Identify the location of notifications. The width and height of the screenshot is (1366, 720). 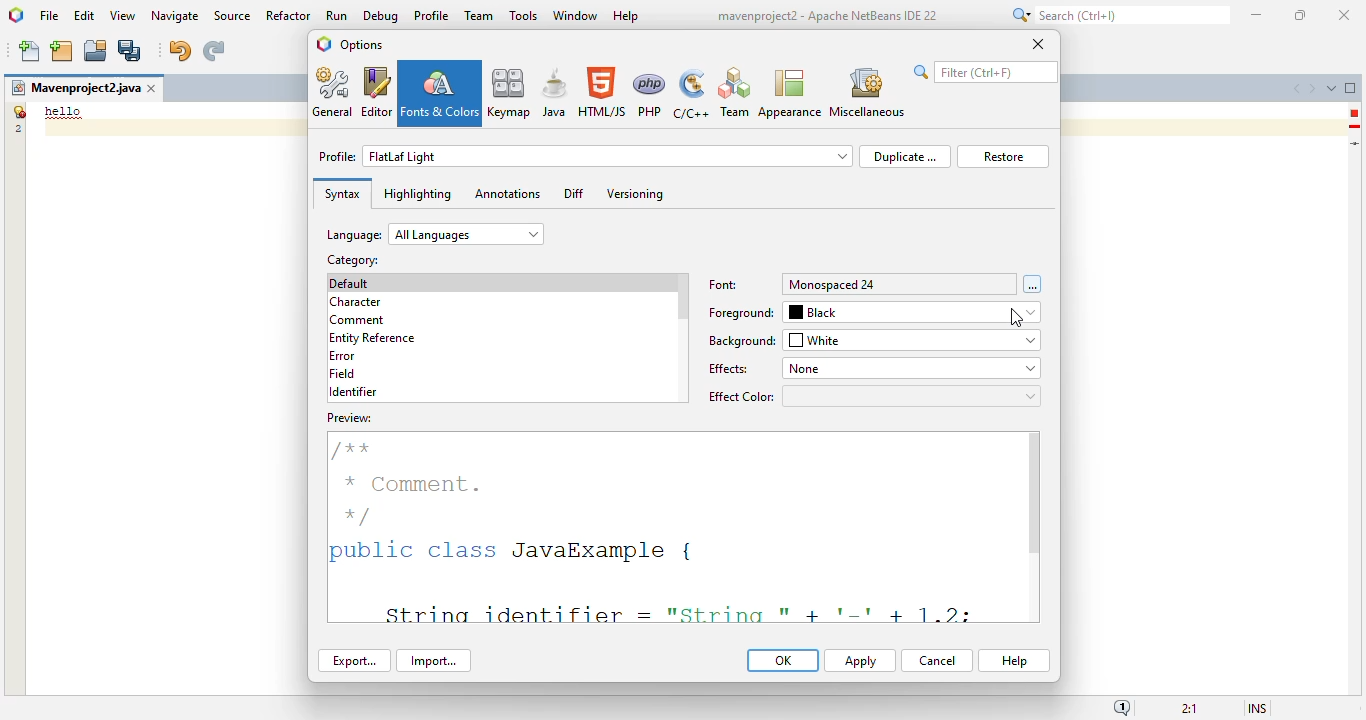
(1122, 707).